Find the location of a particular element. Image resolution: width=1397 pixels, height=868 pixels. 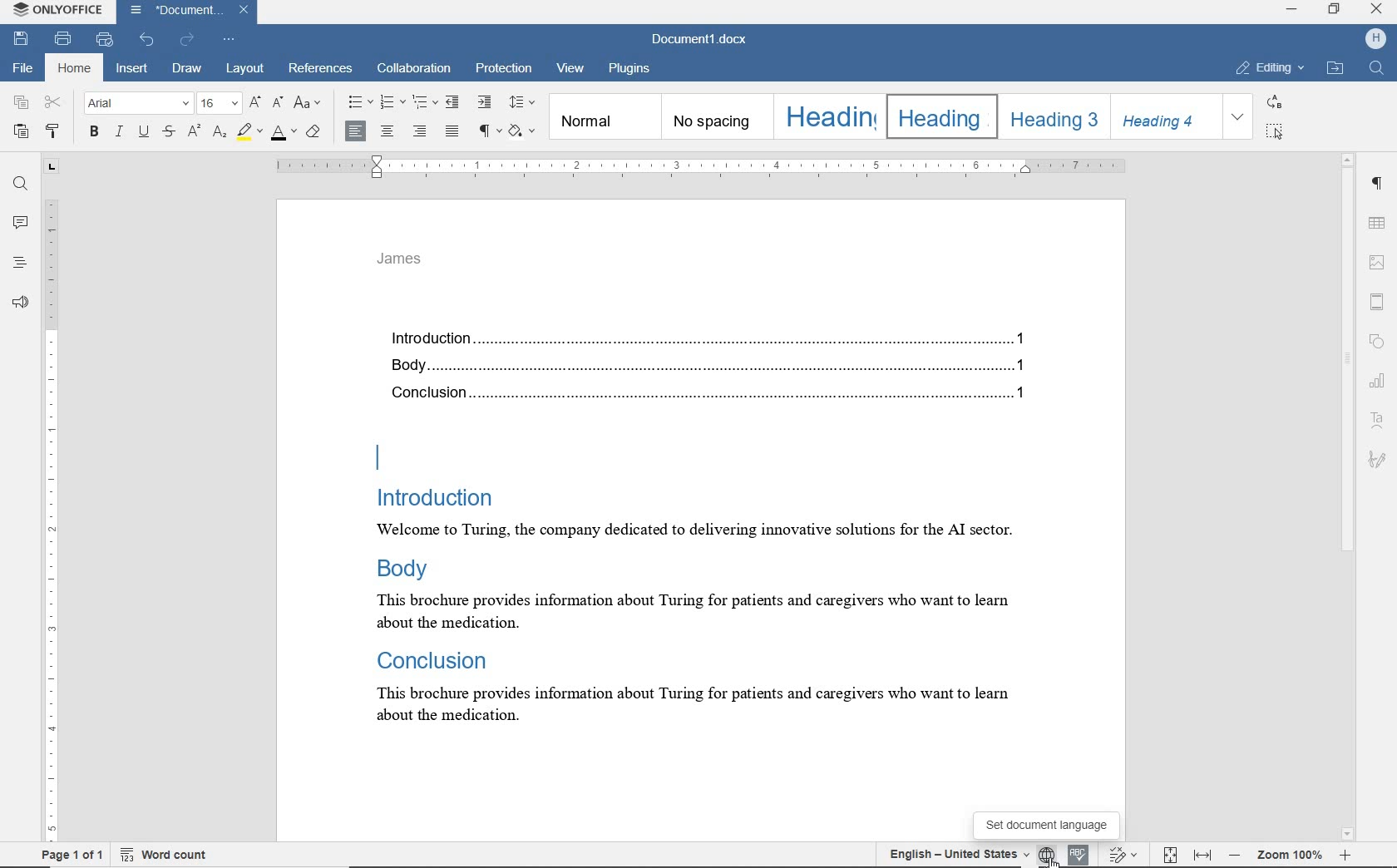

feedback & support is located at coordinates (18, 302).